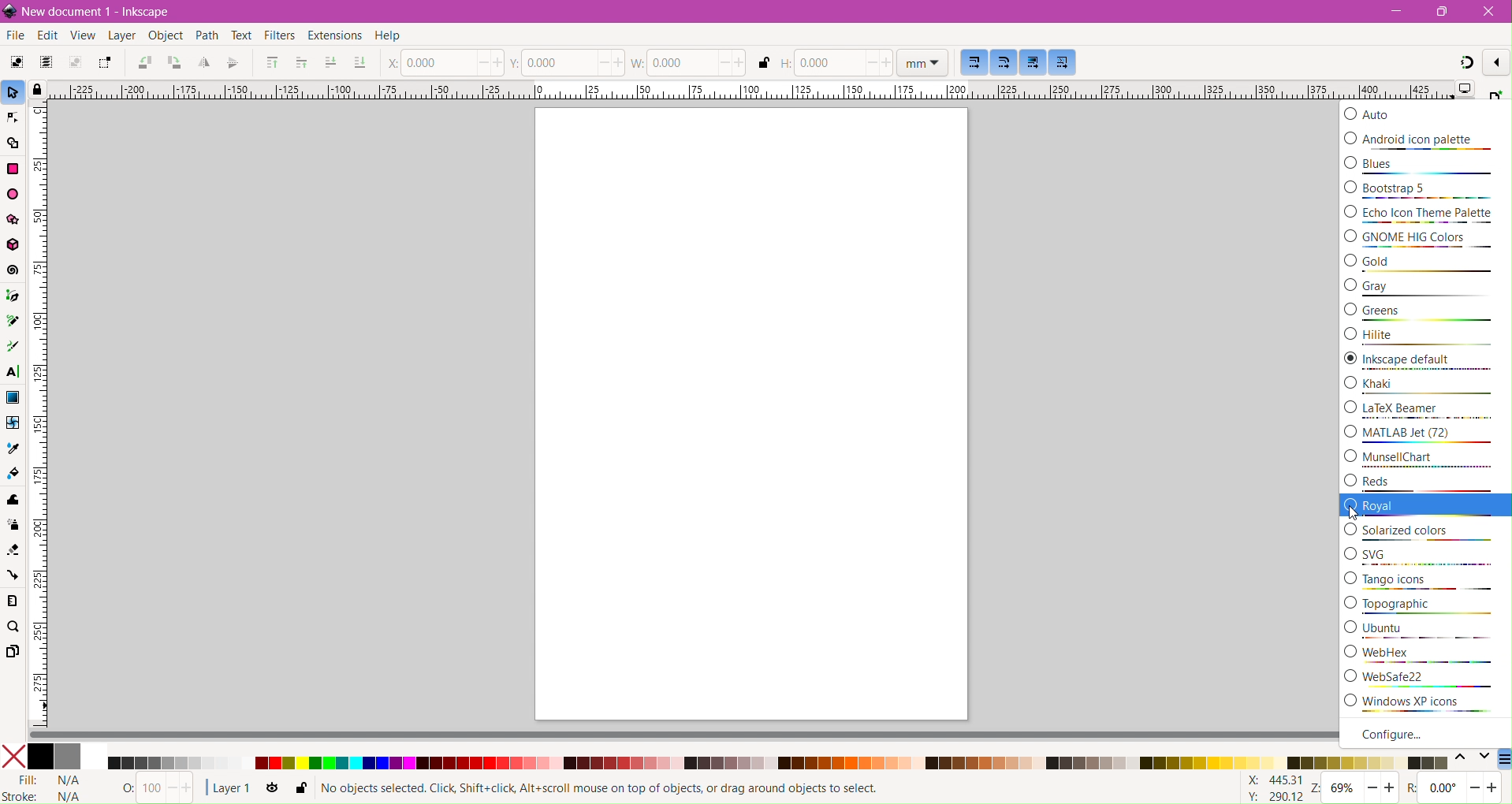 The height and width of the screenshot is (804, 1512). I want to click on Configure Color Palette, so click(1503, 761).